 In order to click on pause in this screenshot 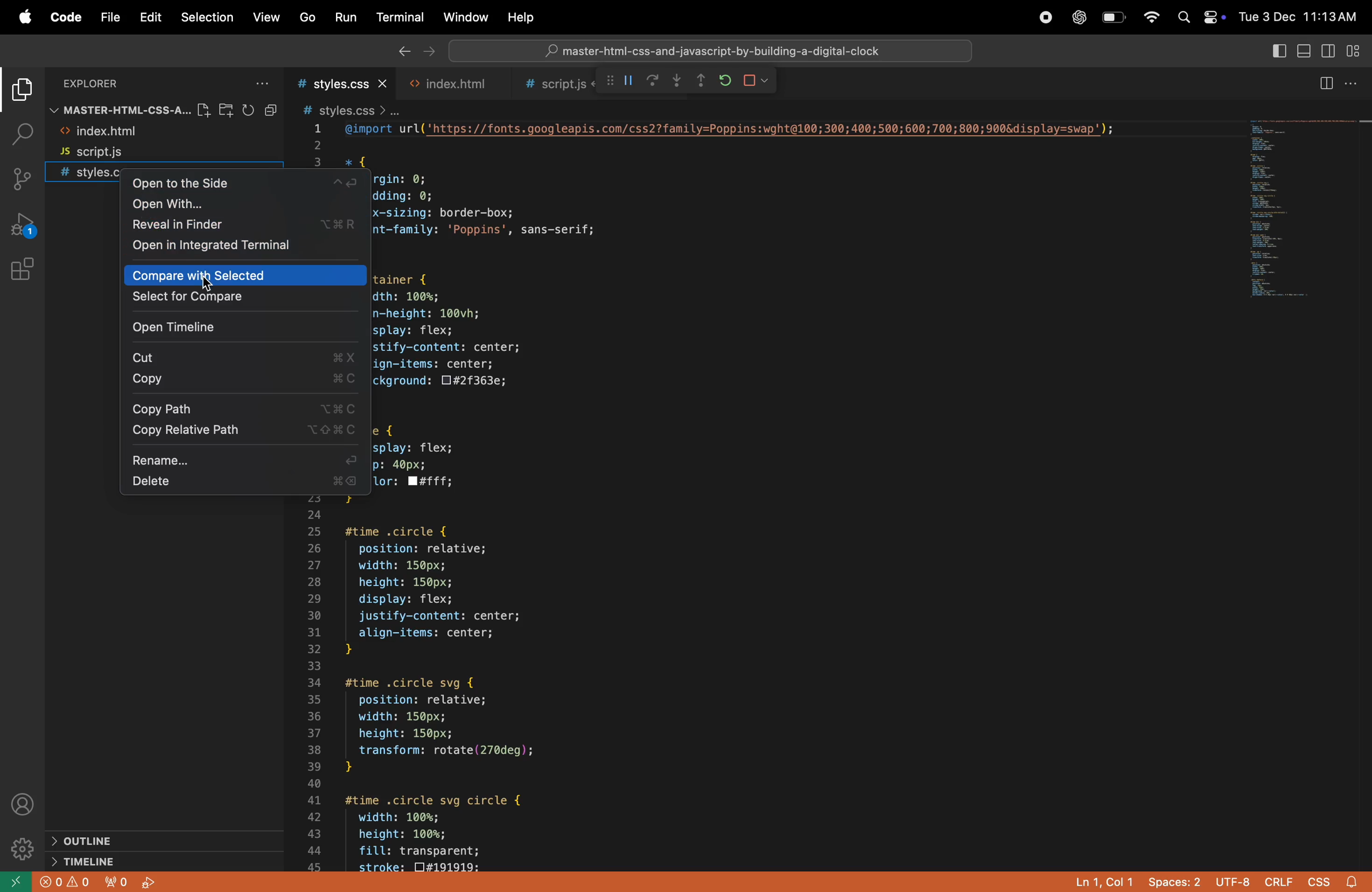, I will do `click(627, 80)`.